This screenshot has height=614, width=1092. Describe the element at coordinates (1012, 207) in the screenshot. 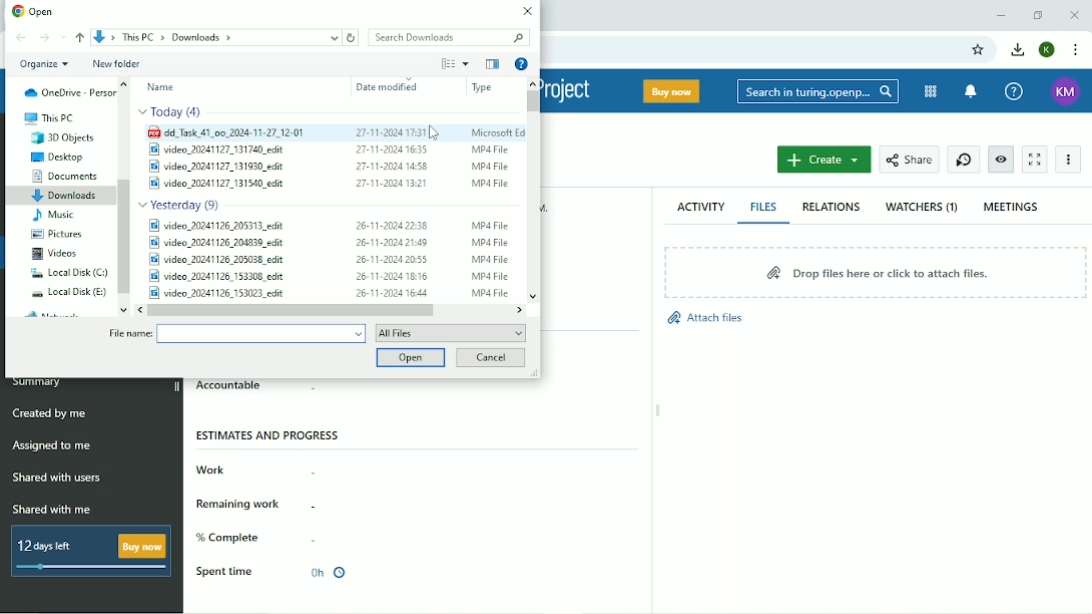

I see `Meetings` at that location.